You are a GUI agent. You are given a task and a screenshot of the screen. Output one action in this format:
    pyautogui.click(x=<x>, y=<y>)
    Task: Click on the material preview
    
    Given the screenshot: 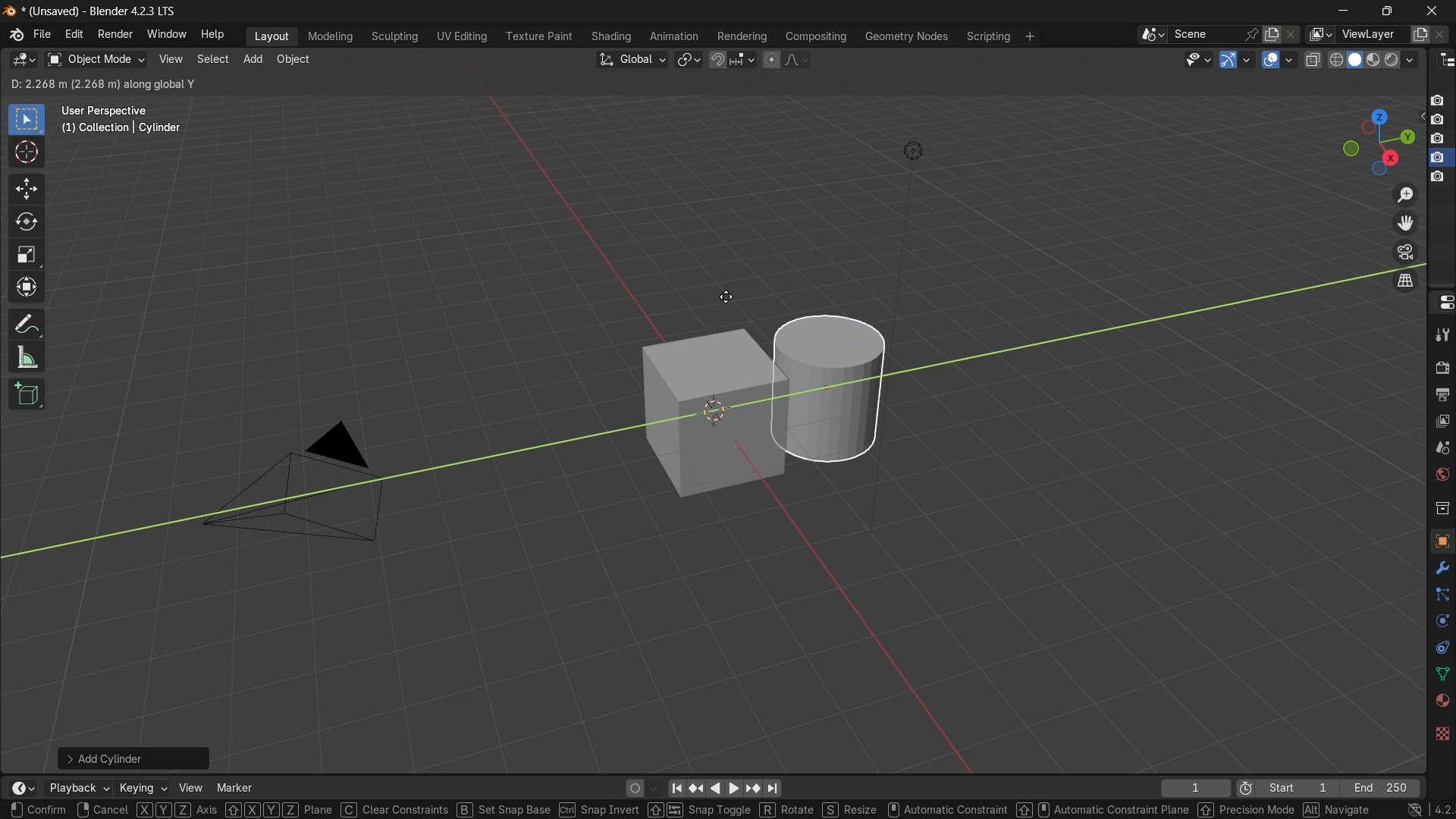 What is the action you would take?
    pyautogui.click(x=1376, y=61)
    